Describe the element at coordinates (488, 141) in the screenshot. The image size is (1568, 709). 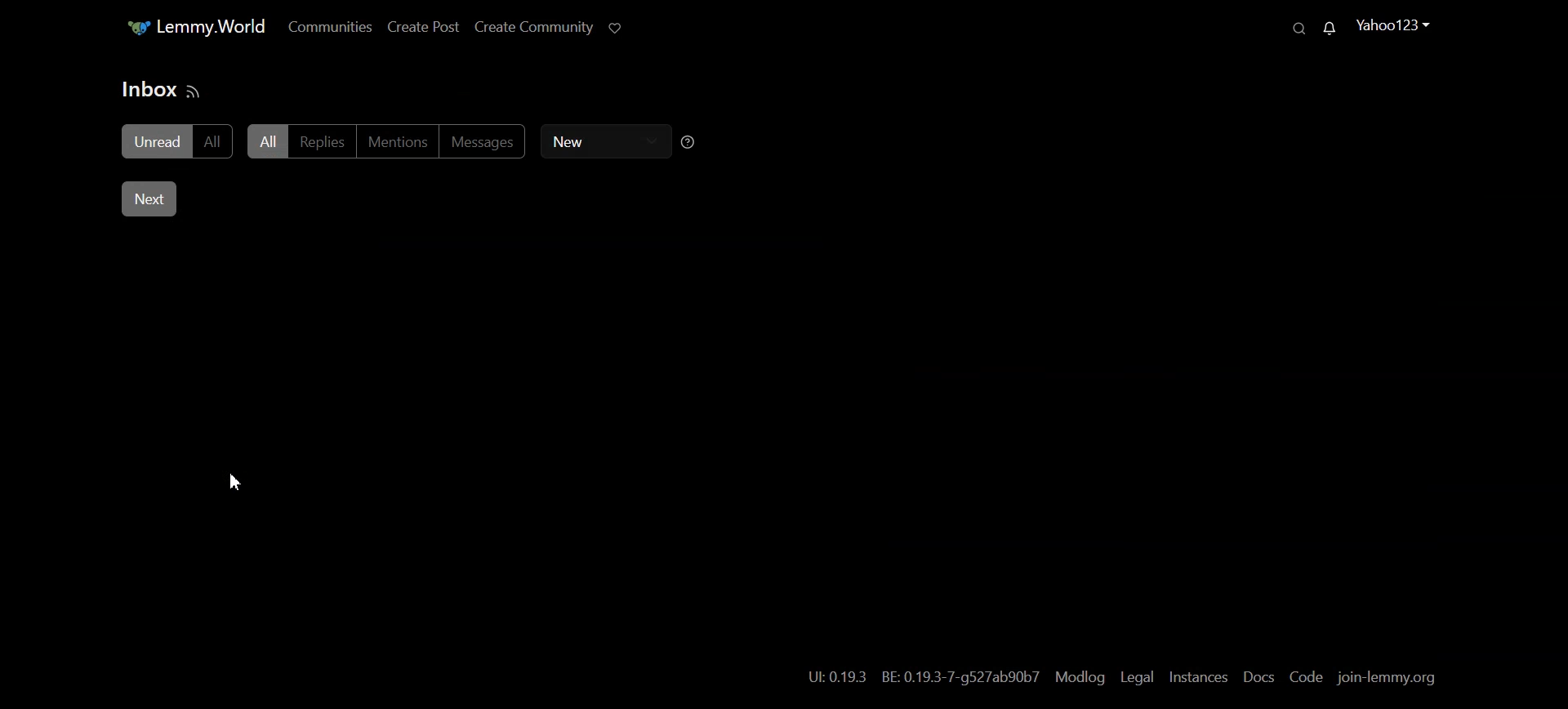
I see `Messages` at that location.